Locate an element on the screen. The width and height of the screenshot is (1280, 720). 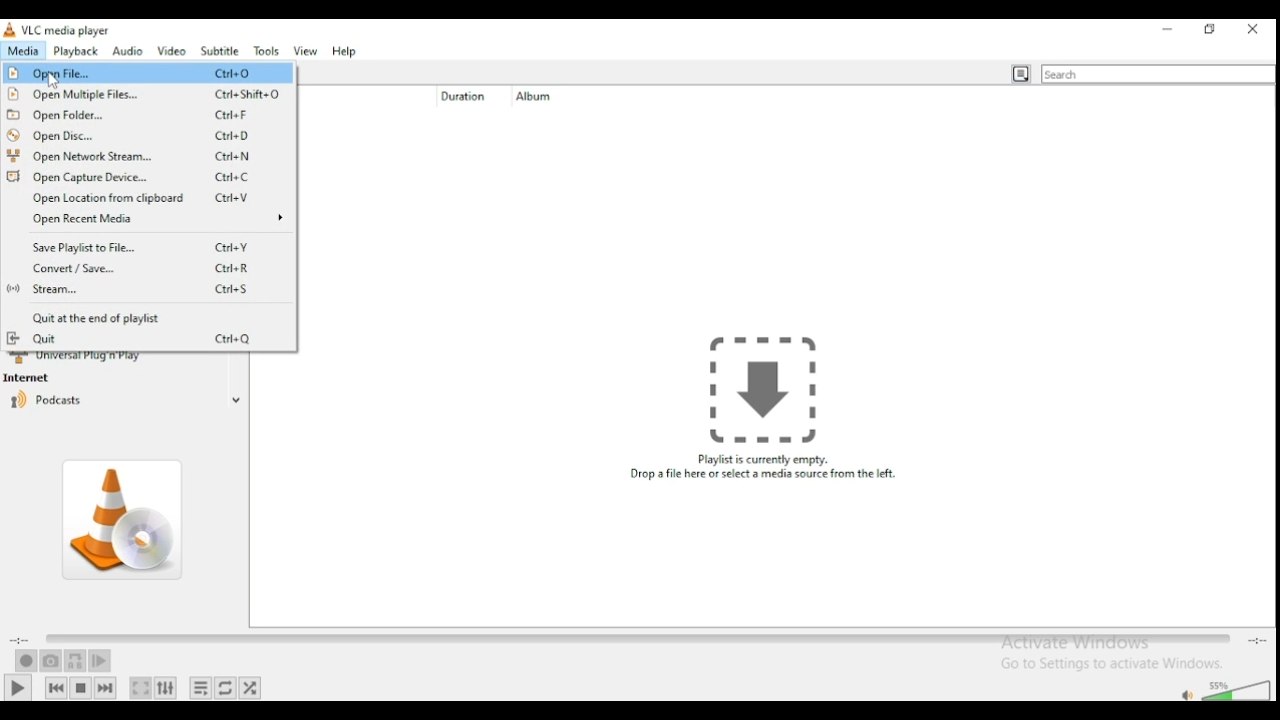
previous media in playlist, skips backward when held is located at coordinates (54, 688).